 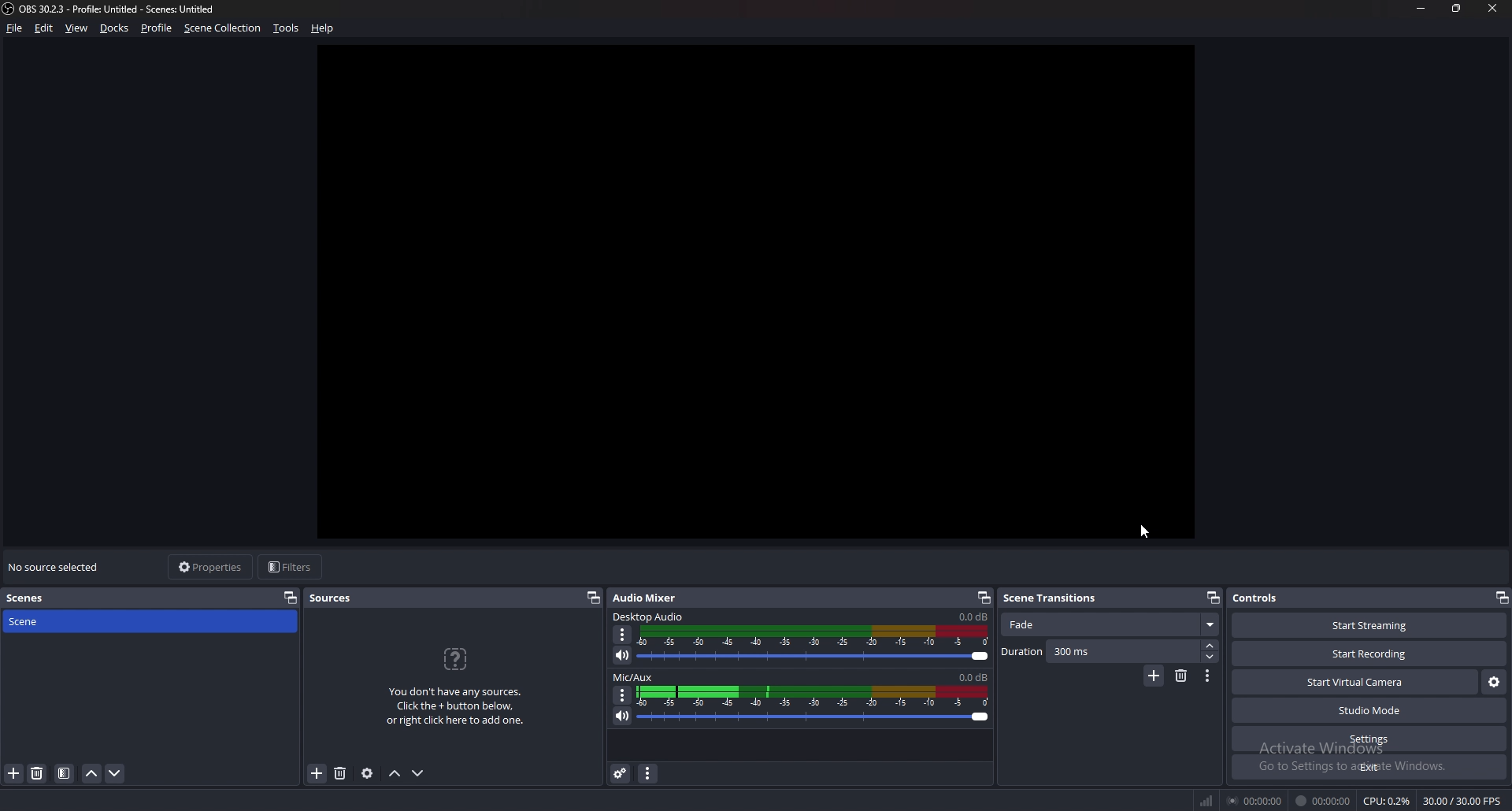 What do you see at coordinates (973, 617) in the screenshot?
I see `desktop audio sound` at bounding box center [973, 617].